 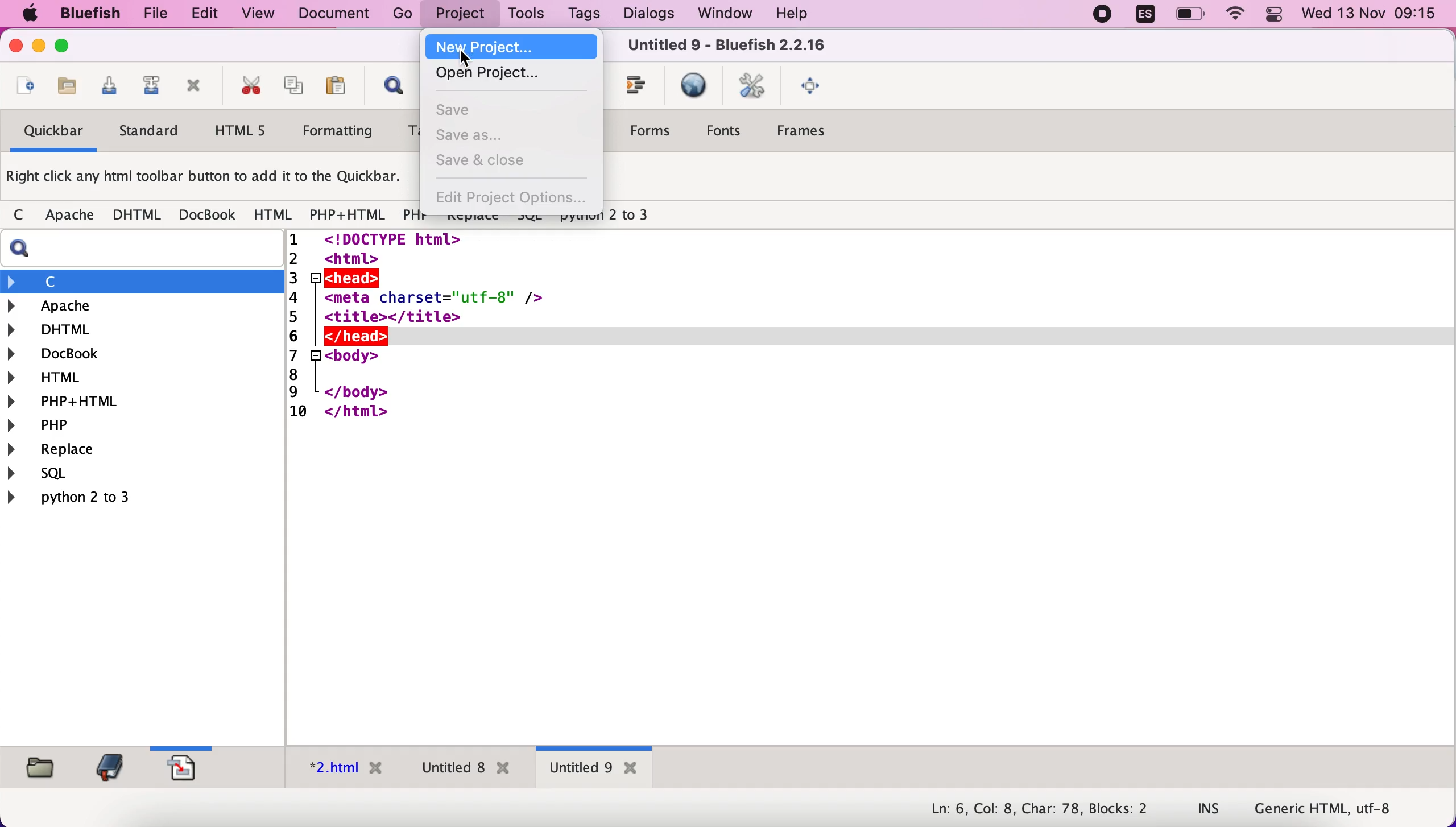 I want to click on mac logo, so click(x=27, y=15).